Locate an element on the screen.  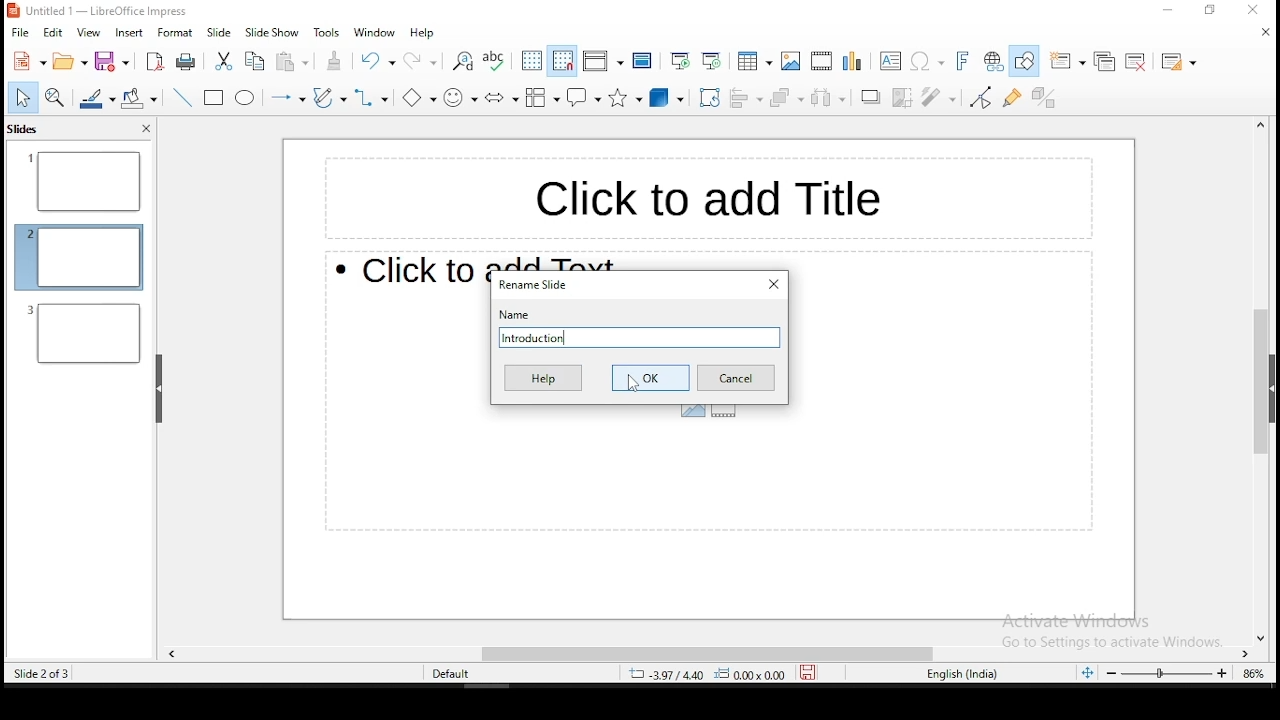
show gluepoint functions is located at coordinates (1012, 98).